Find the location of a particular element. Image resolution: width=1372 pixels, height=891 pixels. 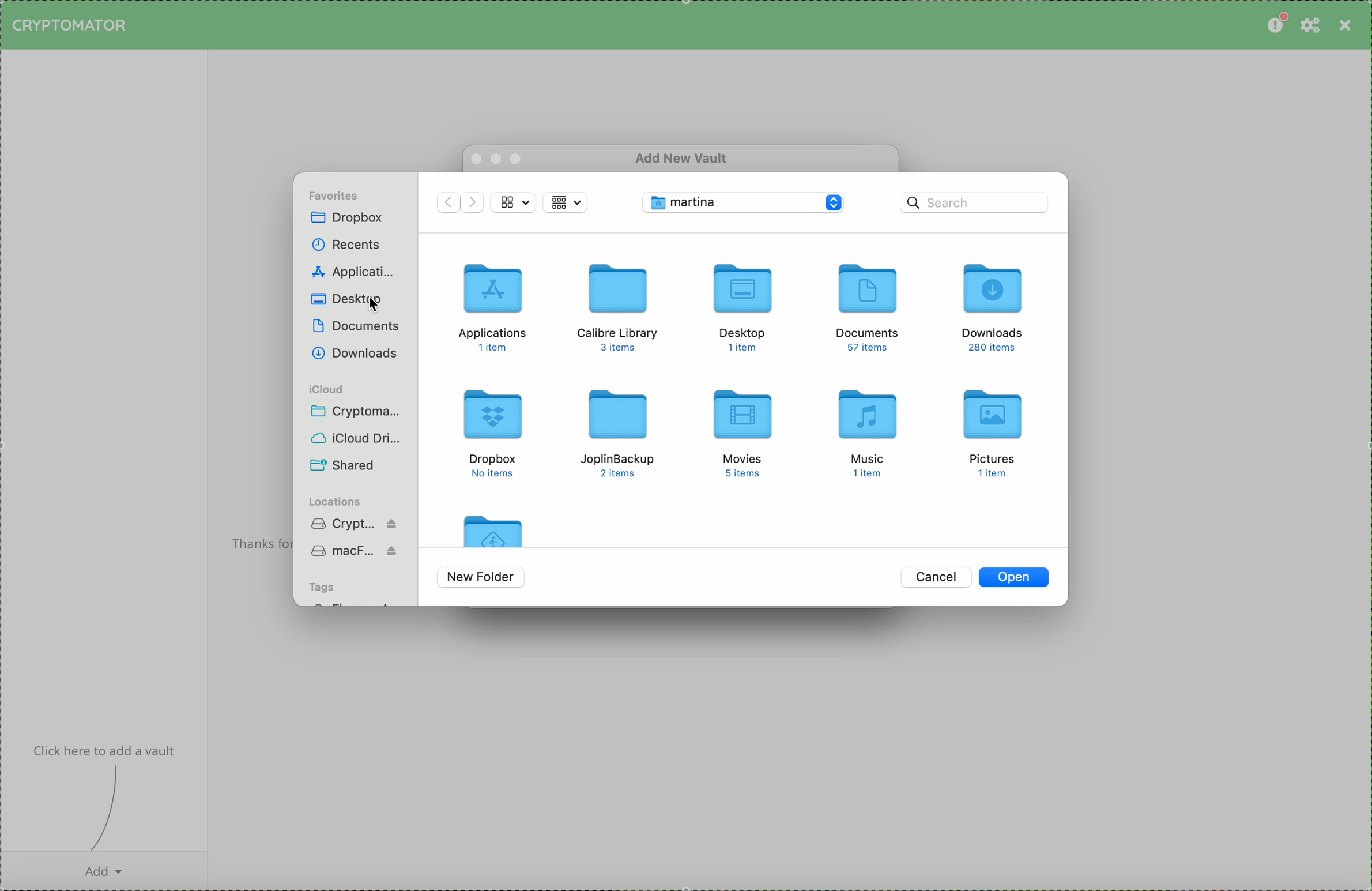

joplin is located at coordinates (619, 435).